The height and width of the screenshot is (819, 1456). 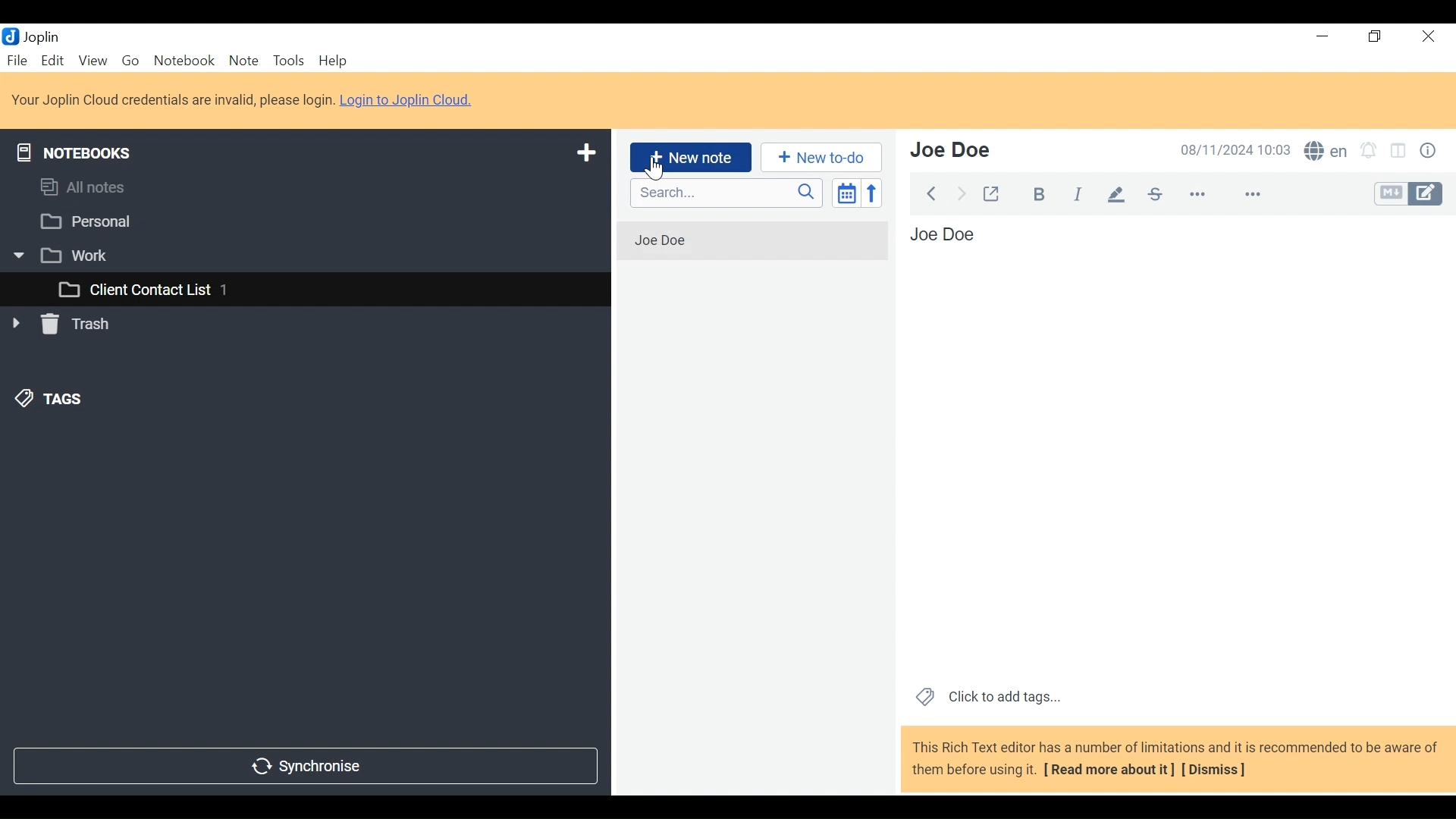 What do you see at coordinates (751, 240) in the screenshot?
I see `Jon Doe` at bounding box center [751, 240].